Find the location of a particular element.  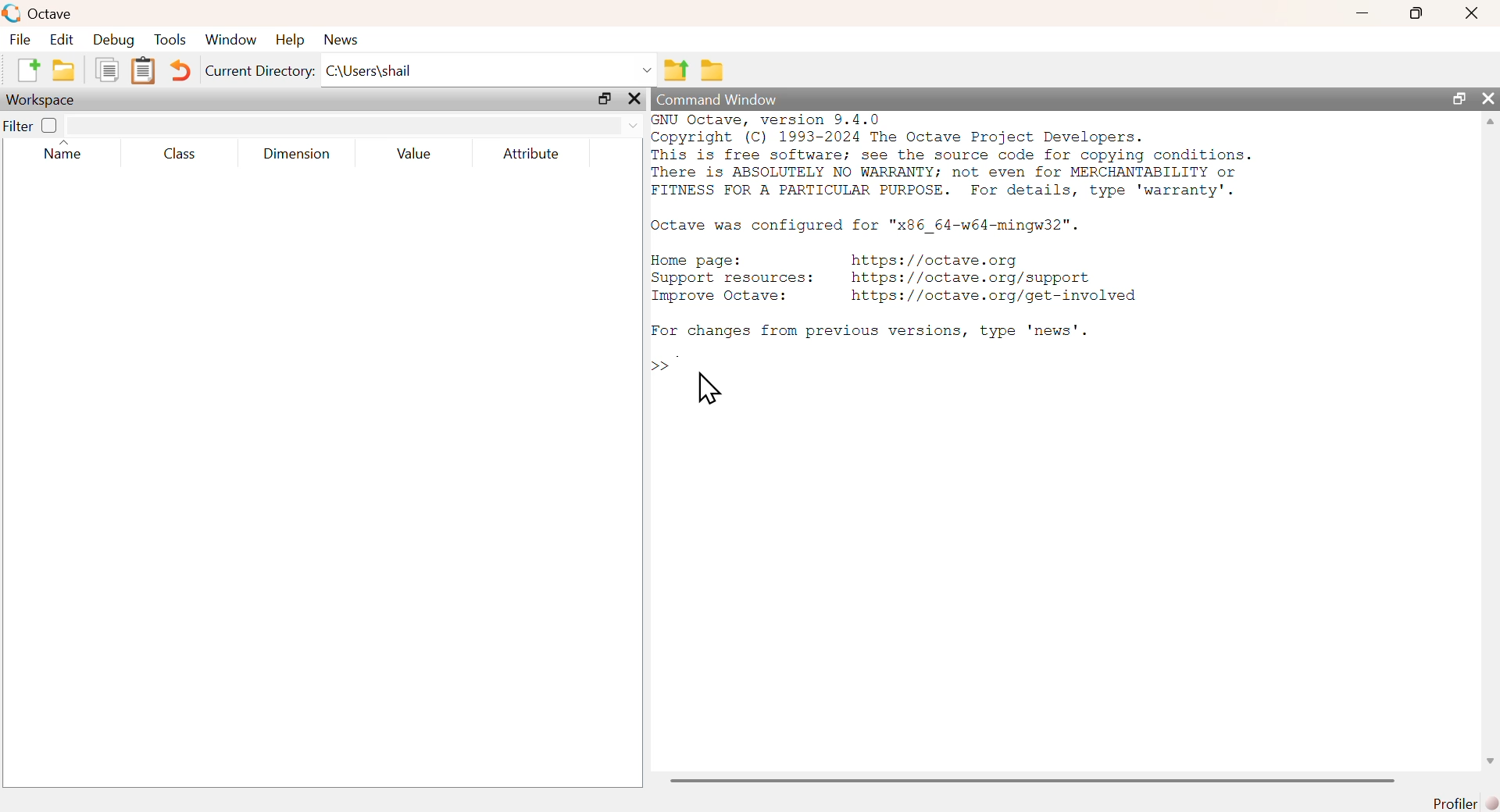

command window is located at coordinates (718, 99).